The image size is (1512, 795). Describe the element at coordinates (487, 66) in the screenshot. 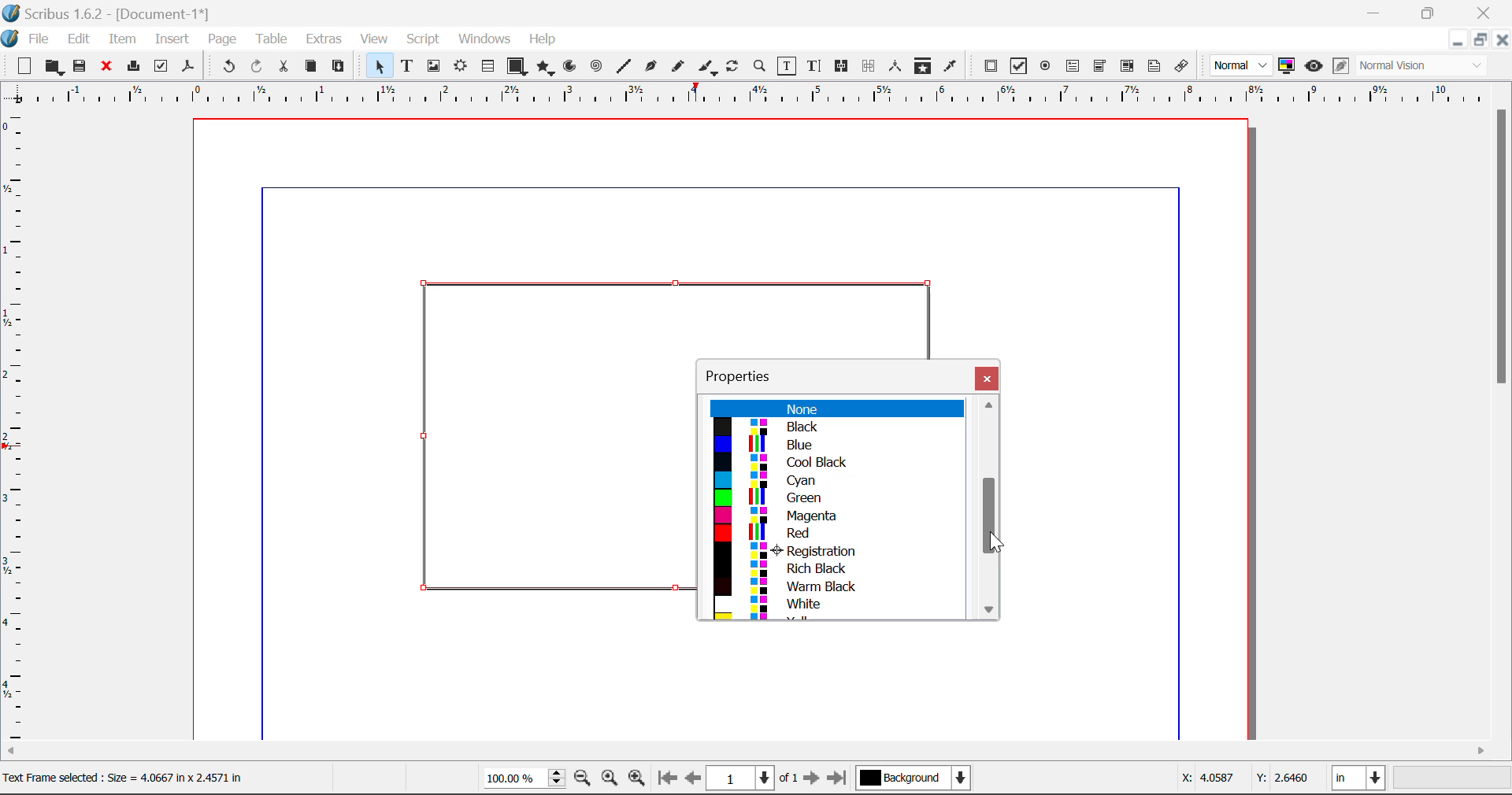

I see `Tables` at that location.